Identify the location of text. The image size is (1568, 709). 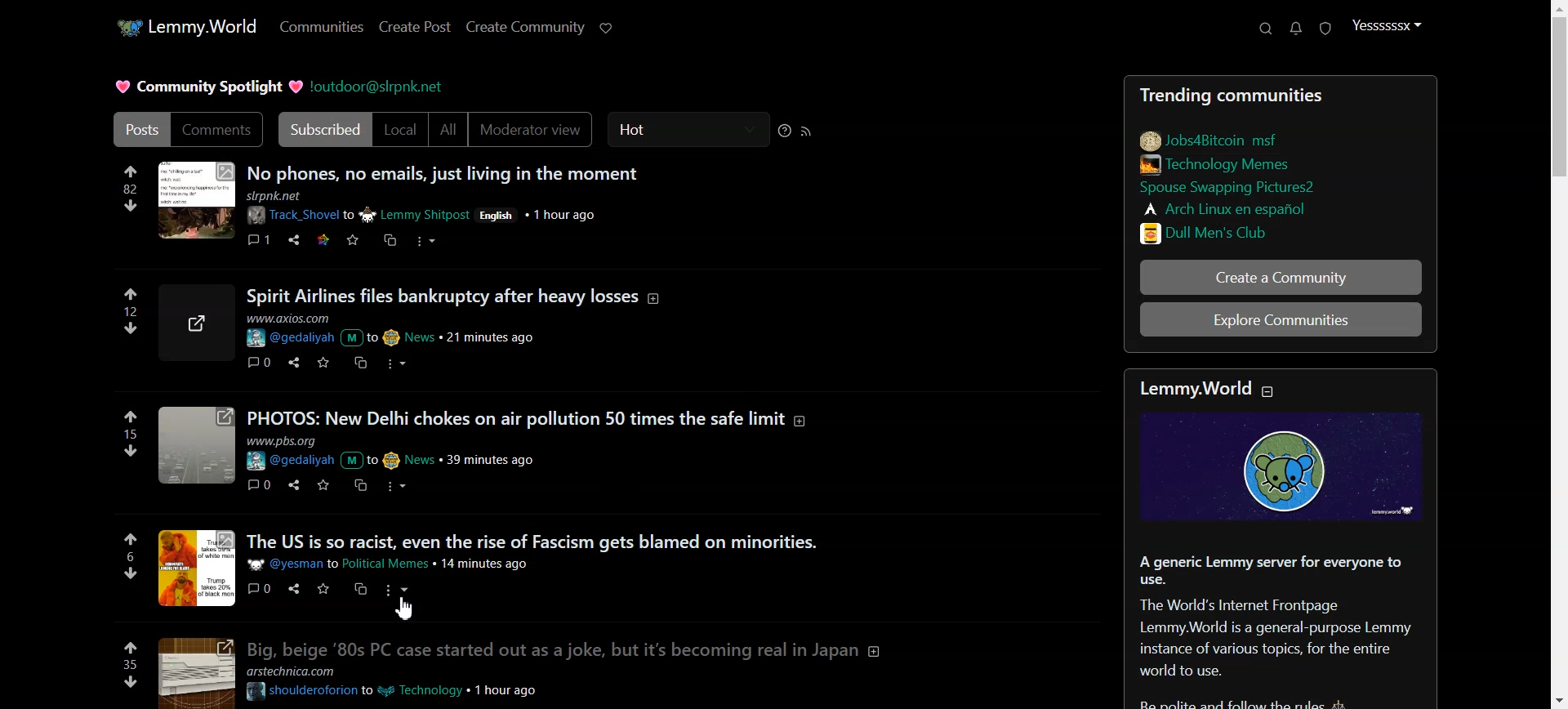
(1205, 389).